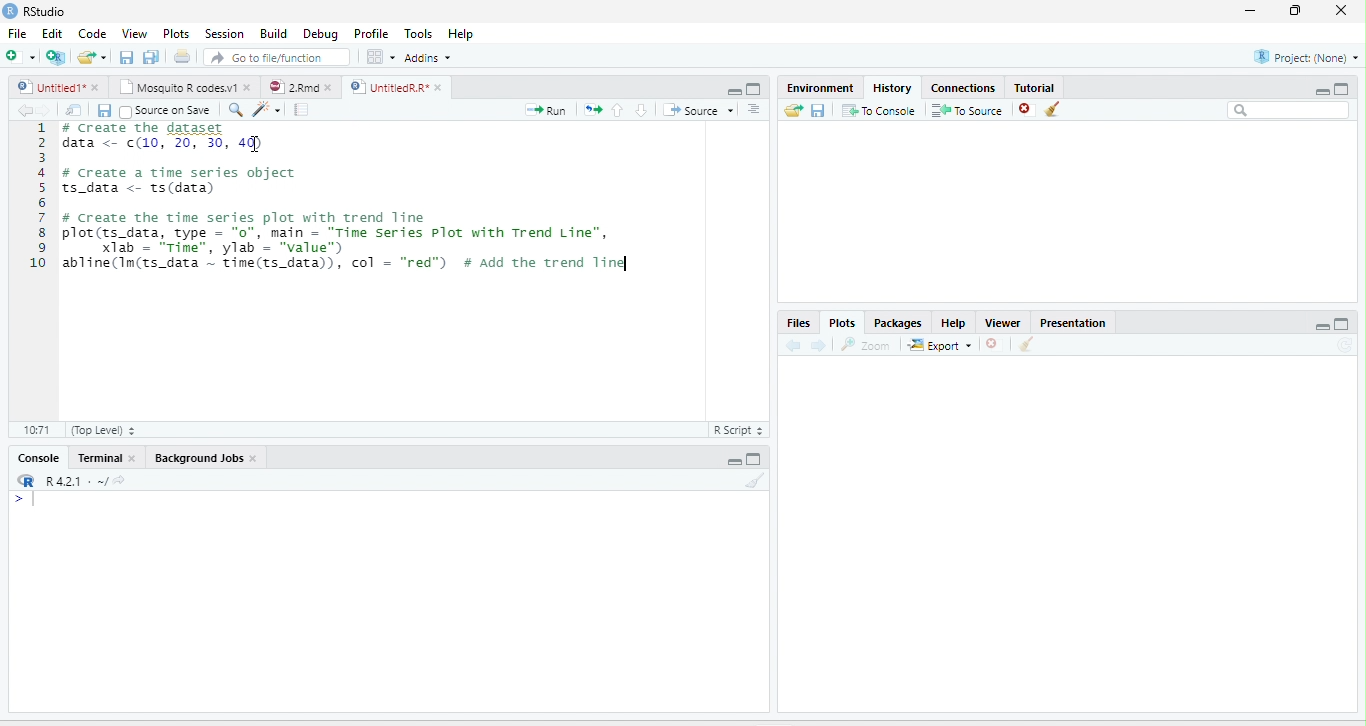 Image resolution: width=1366 pixels, height=726 pixels. I want to click on Remove the selected history entries, so click(1026, 109).